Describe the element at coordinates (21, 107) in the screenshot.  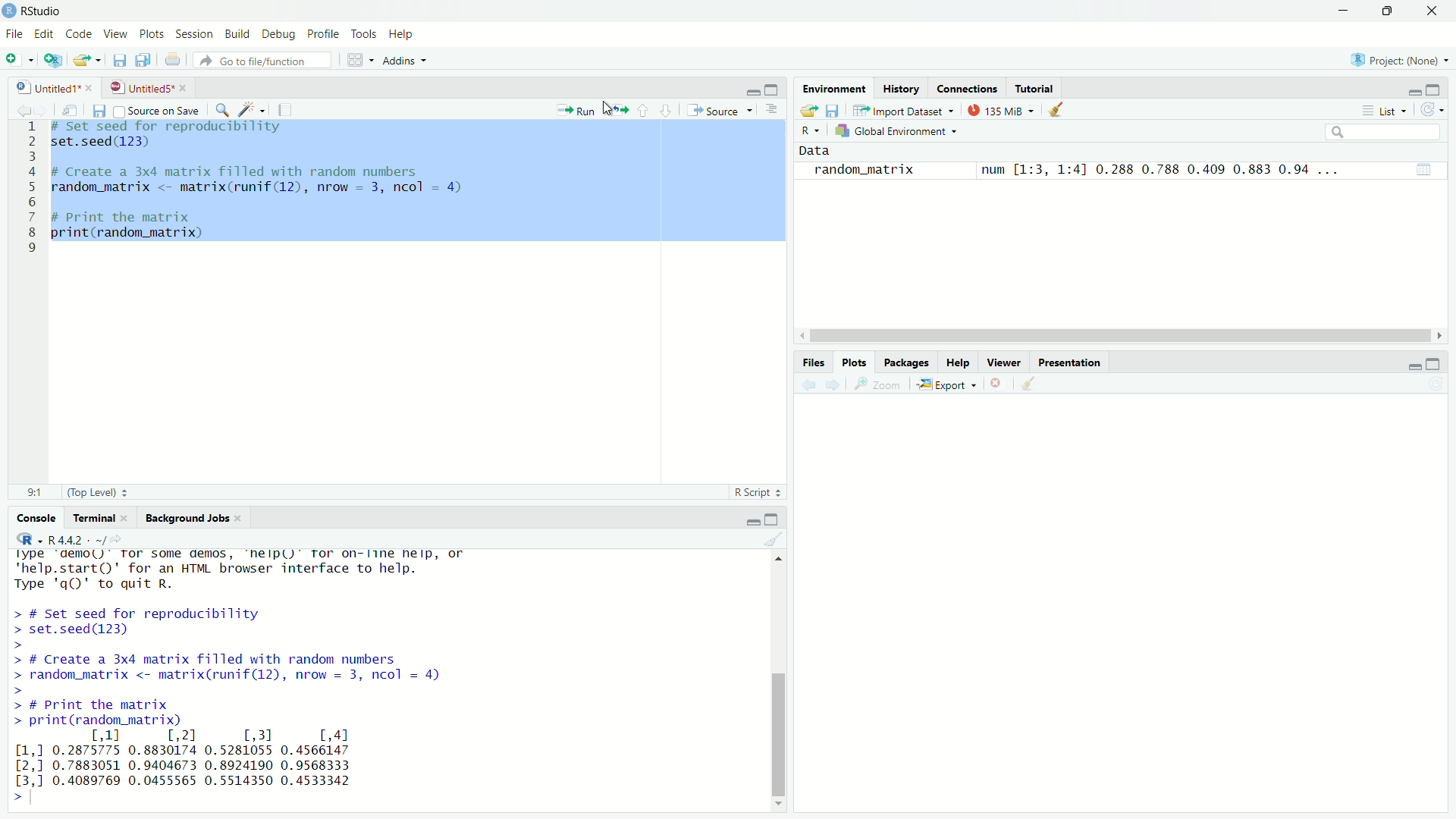
I see `back` at that location.